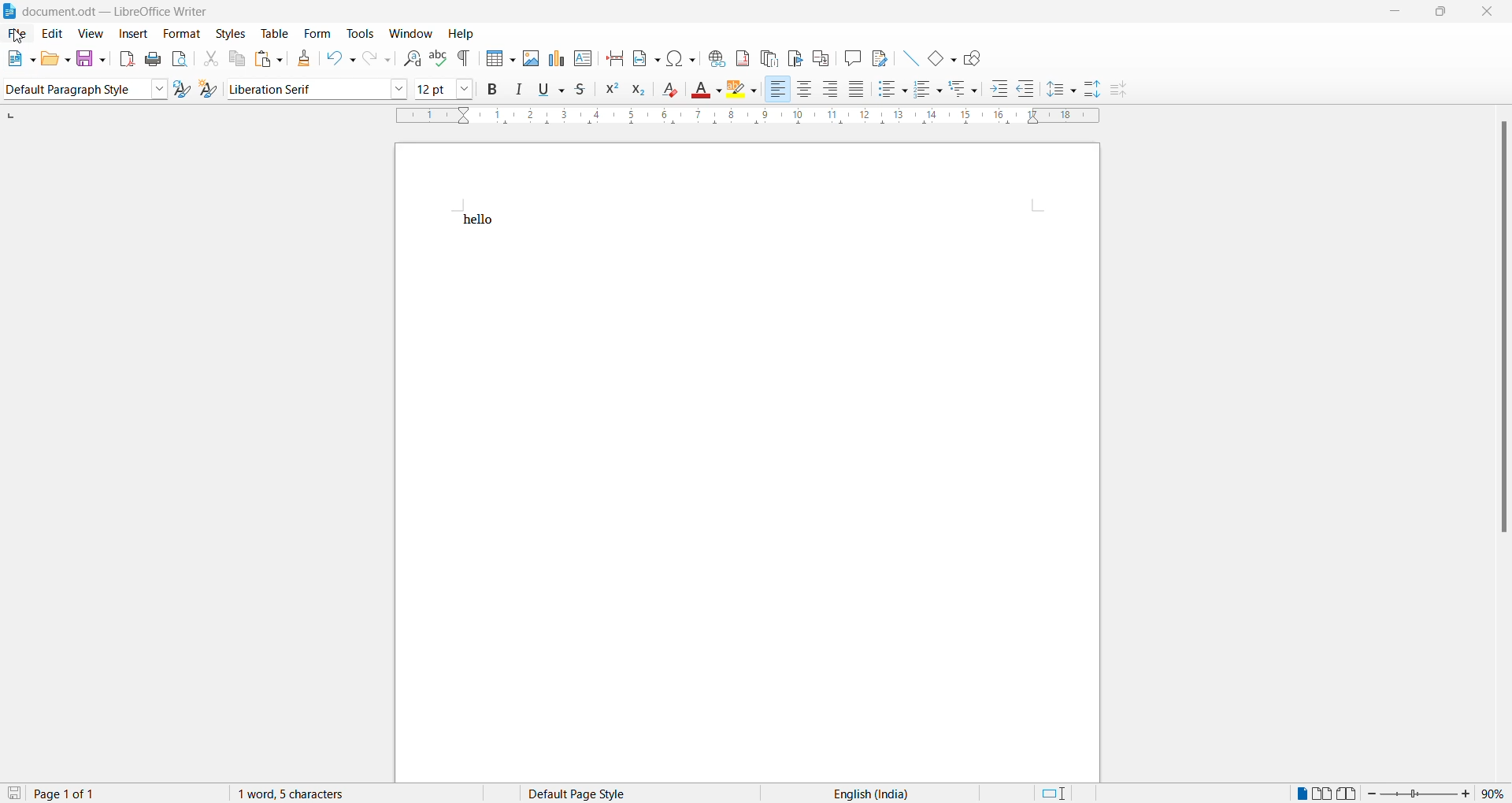 The height and width of the screenshot is (803, 1512). What do you see at coordinates (316, 32) in the screenshot?
I see `form` at bounding box center [316, 32].